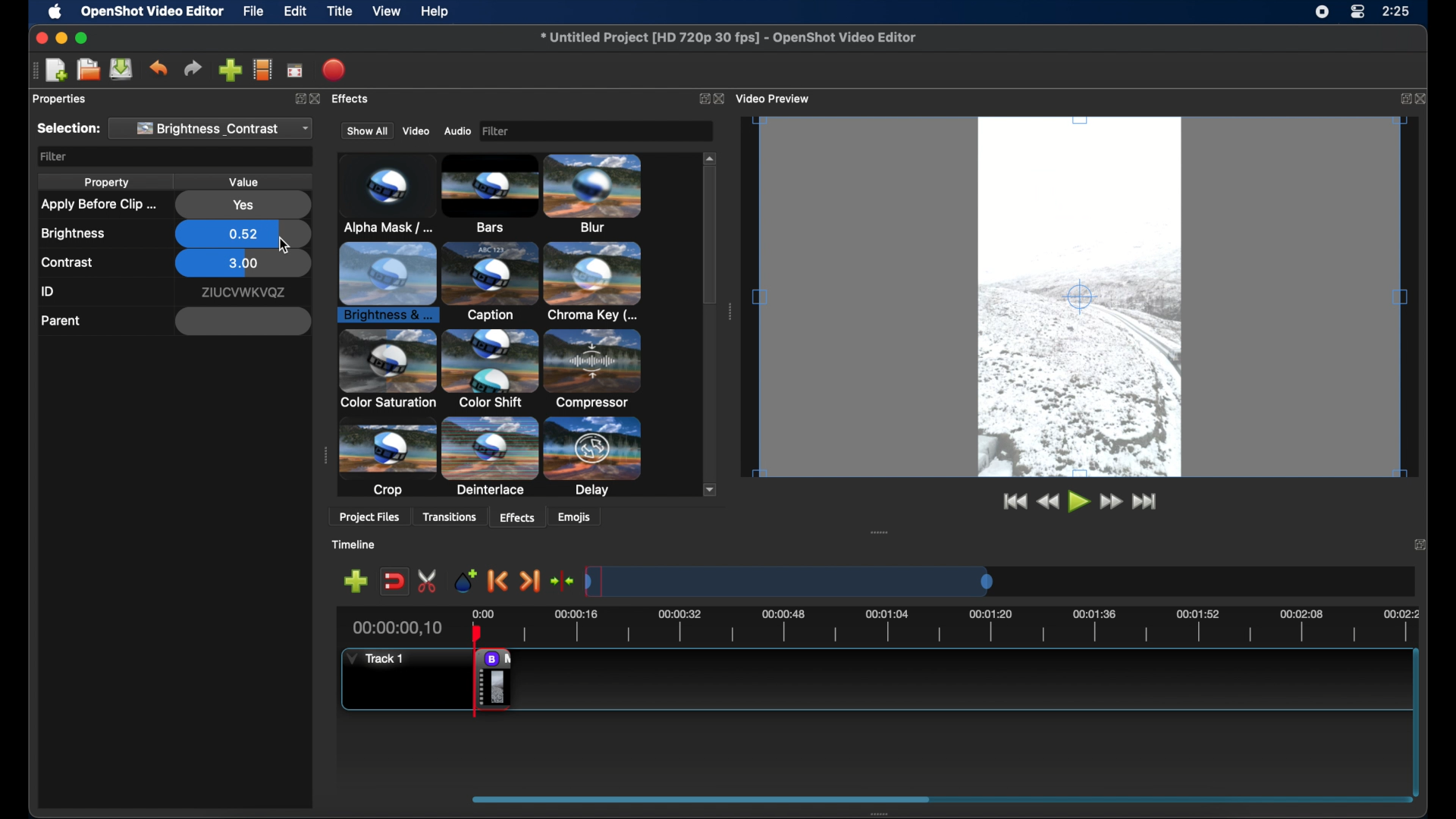  I want to click on filter, so click(54, 157).